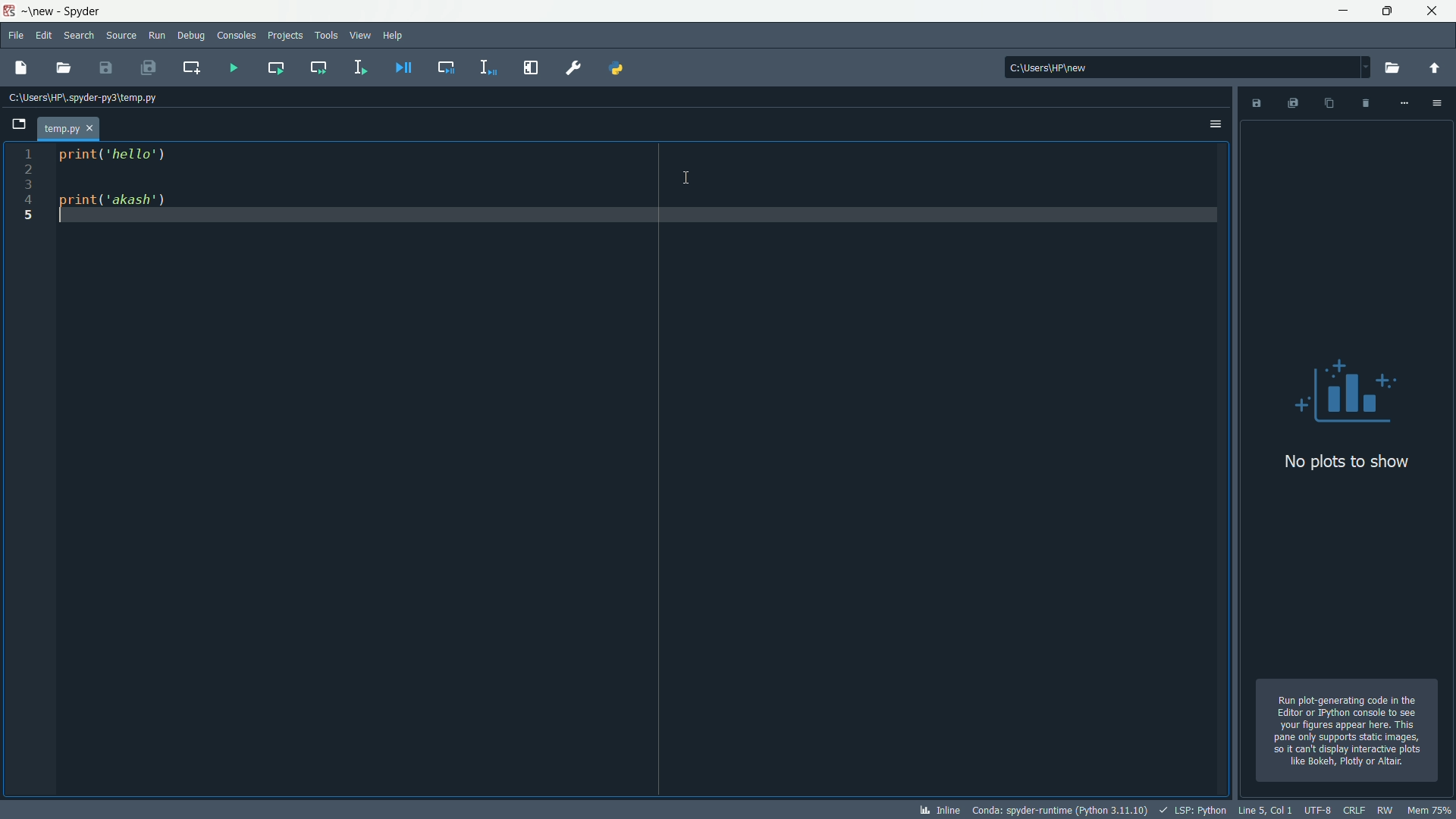 This screenshot has width=1456, height=819. I want to click on run menu, so click(157, 34).